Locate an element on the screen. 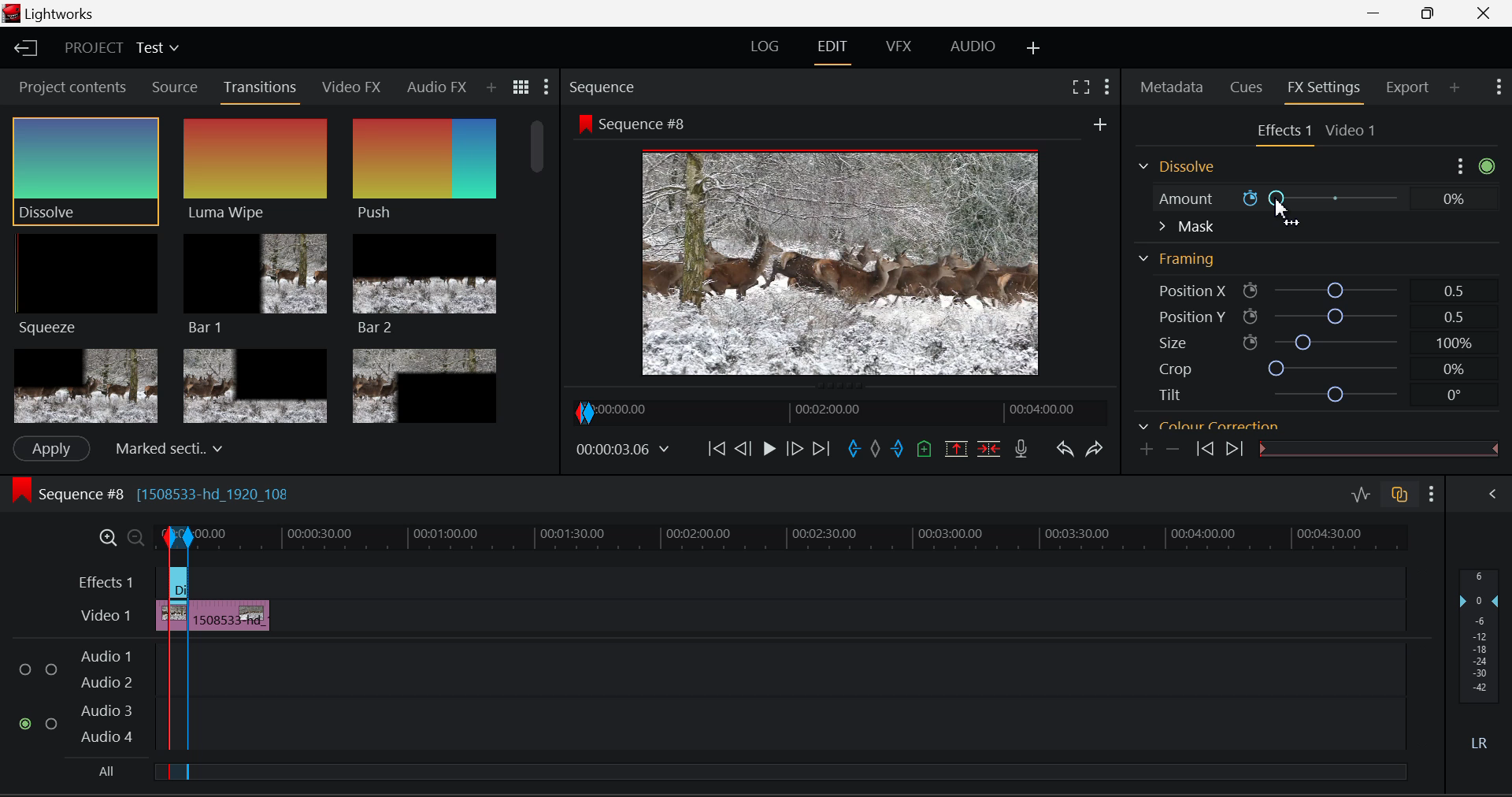  Mask is located at coordinates (1186, 227).